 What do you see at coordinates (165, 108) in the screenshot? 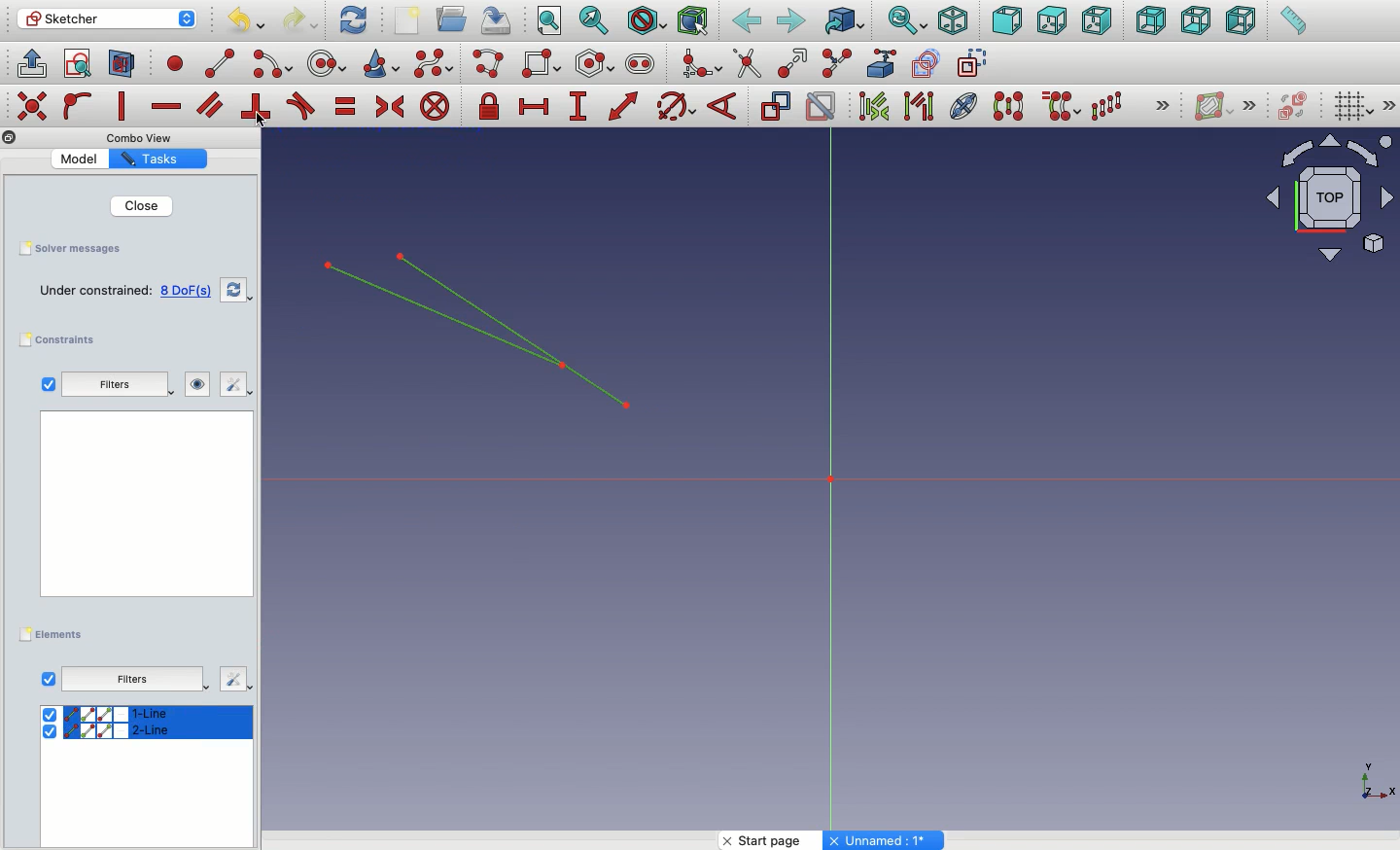
I see `Constrain horizontally` at bounding box center [165, 108].